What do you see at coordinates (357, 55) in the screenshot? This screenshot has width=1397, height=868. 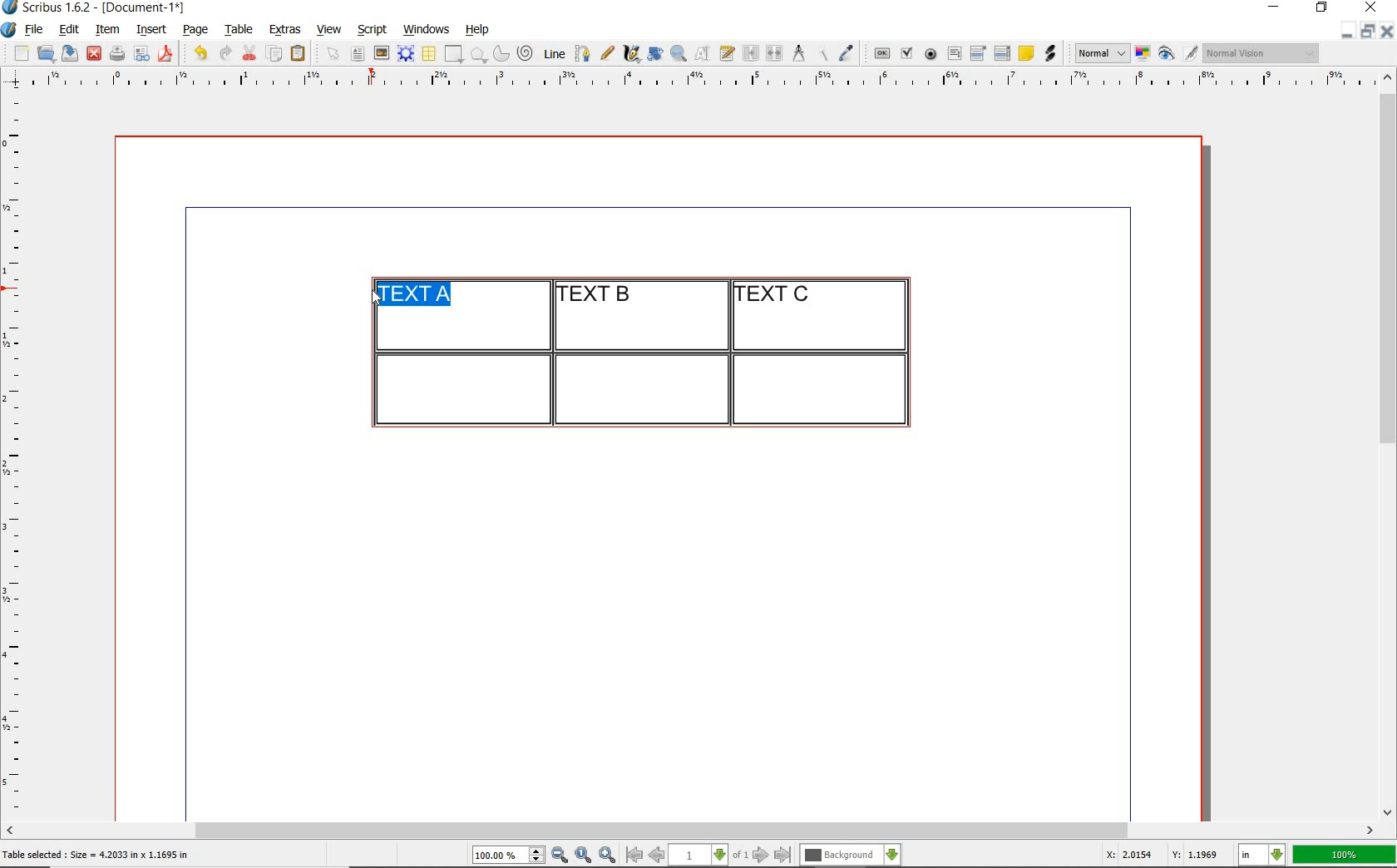 I see `text frame` at bounding box center [357, 55].